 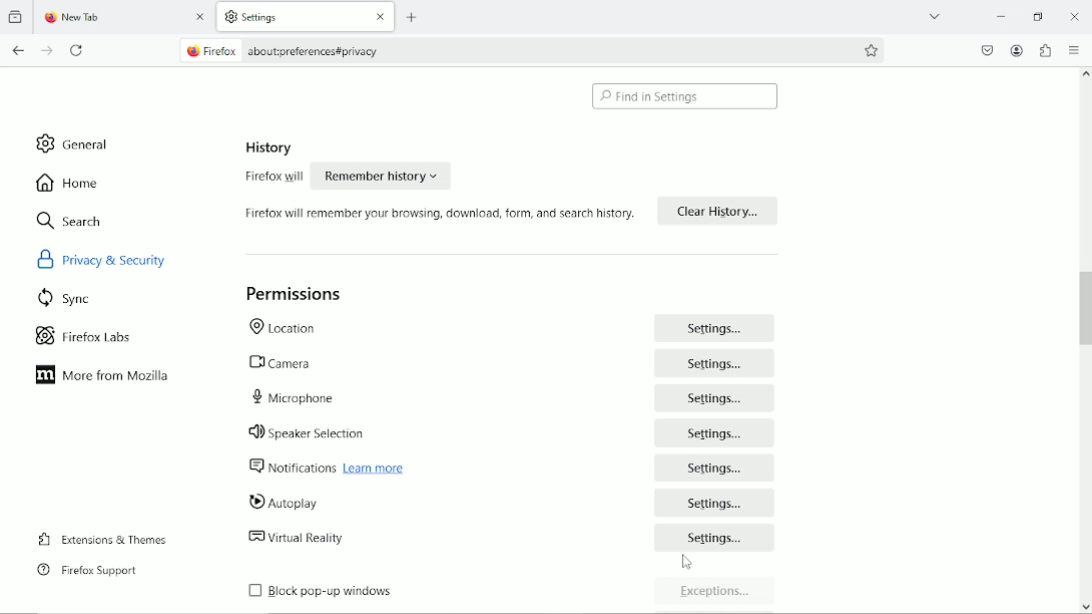 What do you see at coordinates (17, 18) in the screenshot?
I see `View recent browsing` at bounding box center [17, 18].